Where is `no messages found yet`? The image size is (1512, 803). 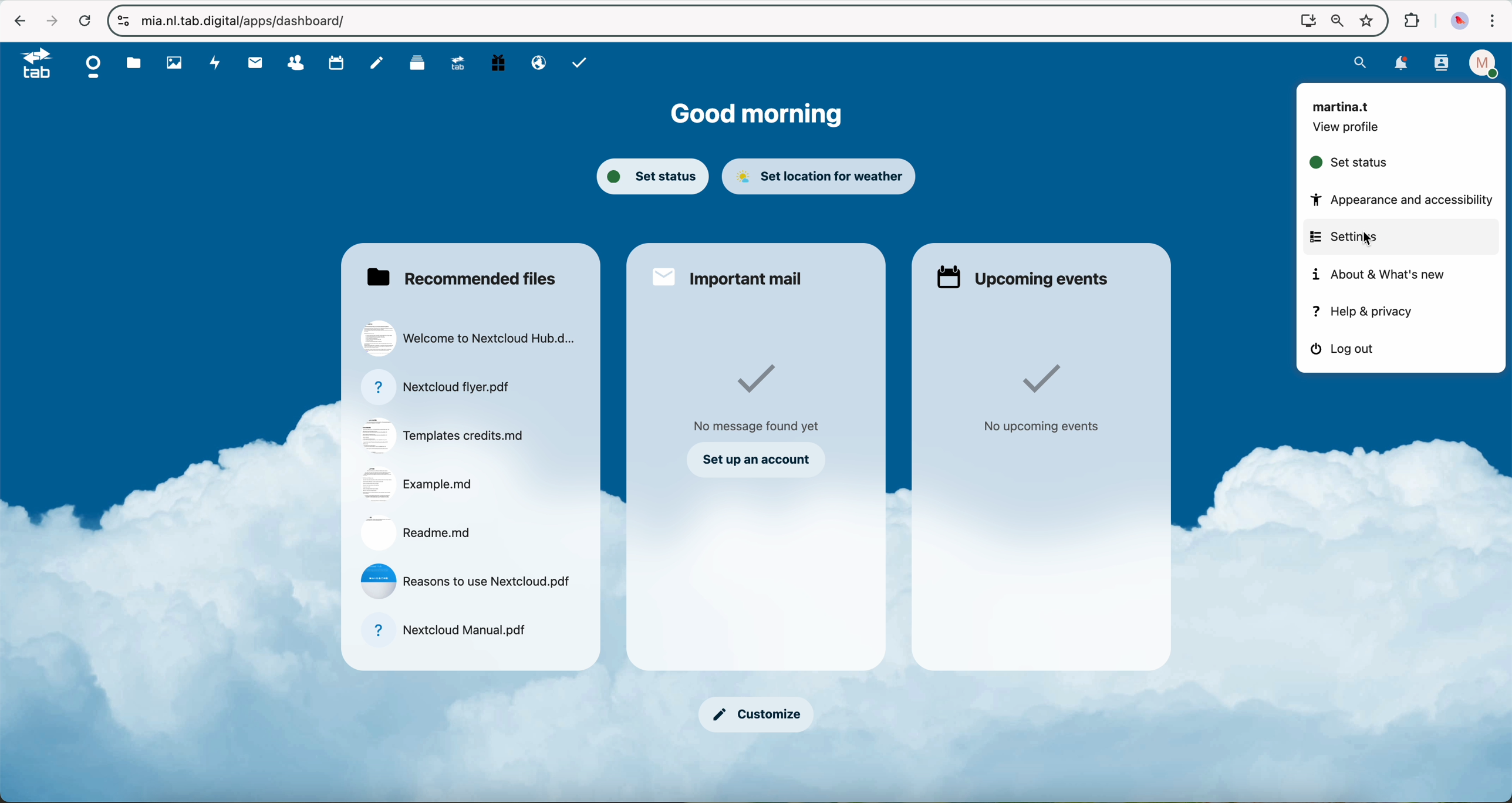
no messages found yet is located at coordinates (761, 400).